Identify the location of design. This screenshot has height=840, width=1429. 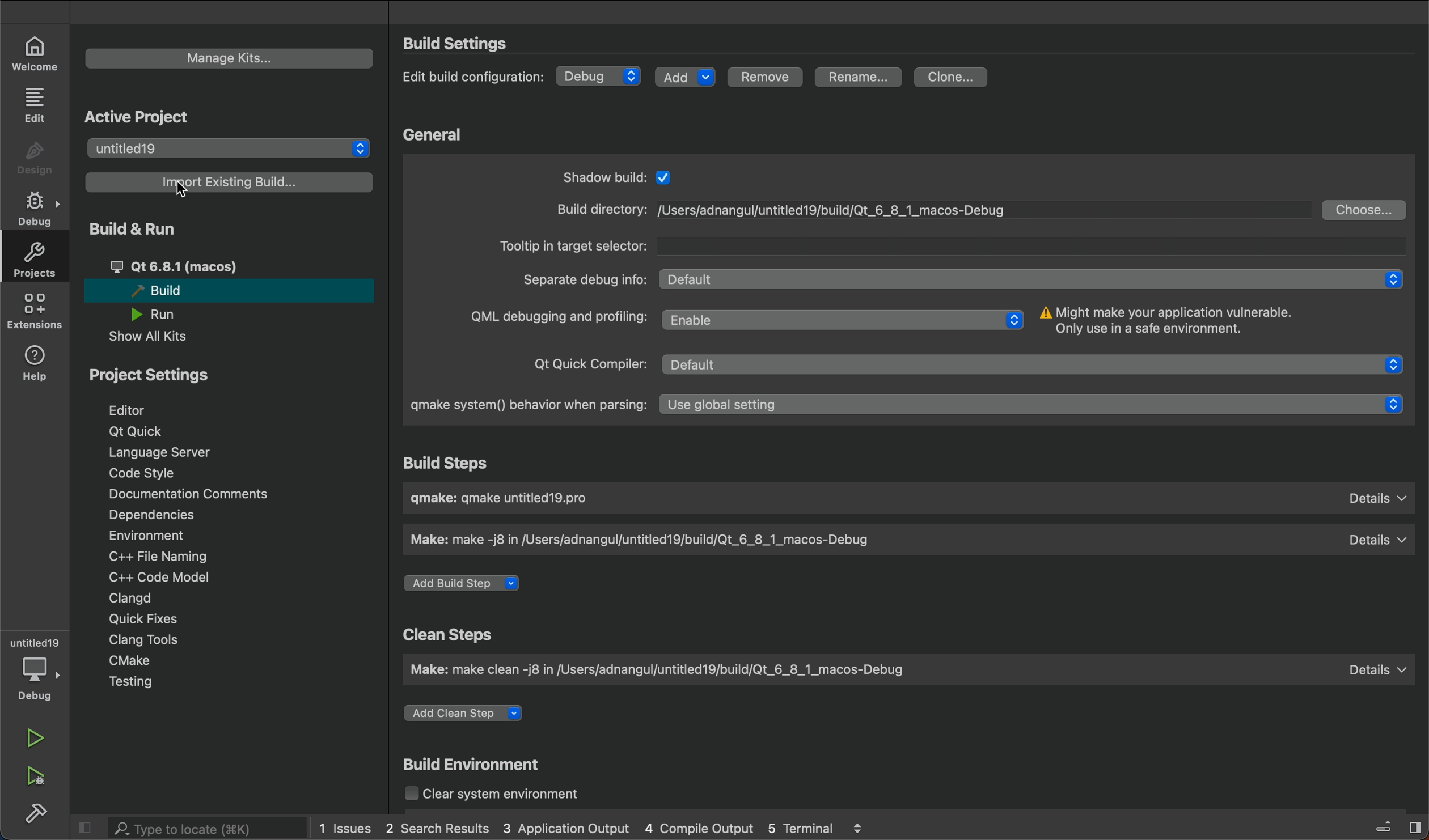
(35, 159).